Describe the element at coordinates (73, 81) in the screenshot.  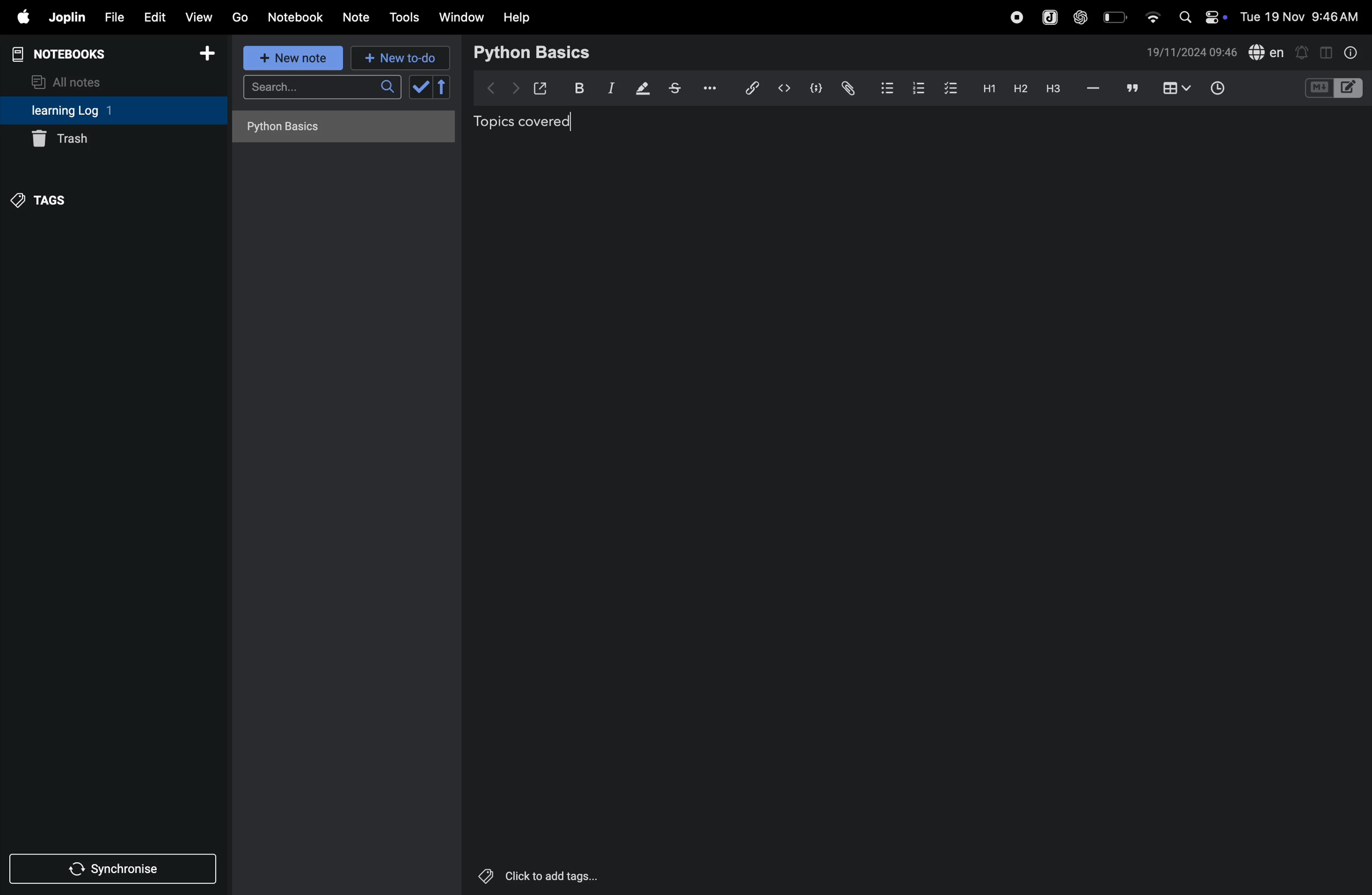
I see `all notes` at that location.